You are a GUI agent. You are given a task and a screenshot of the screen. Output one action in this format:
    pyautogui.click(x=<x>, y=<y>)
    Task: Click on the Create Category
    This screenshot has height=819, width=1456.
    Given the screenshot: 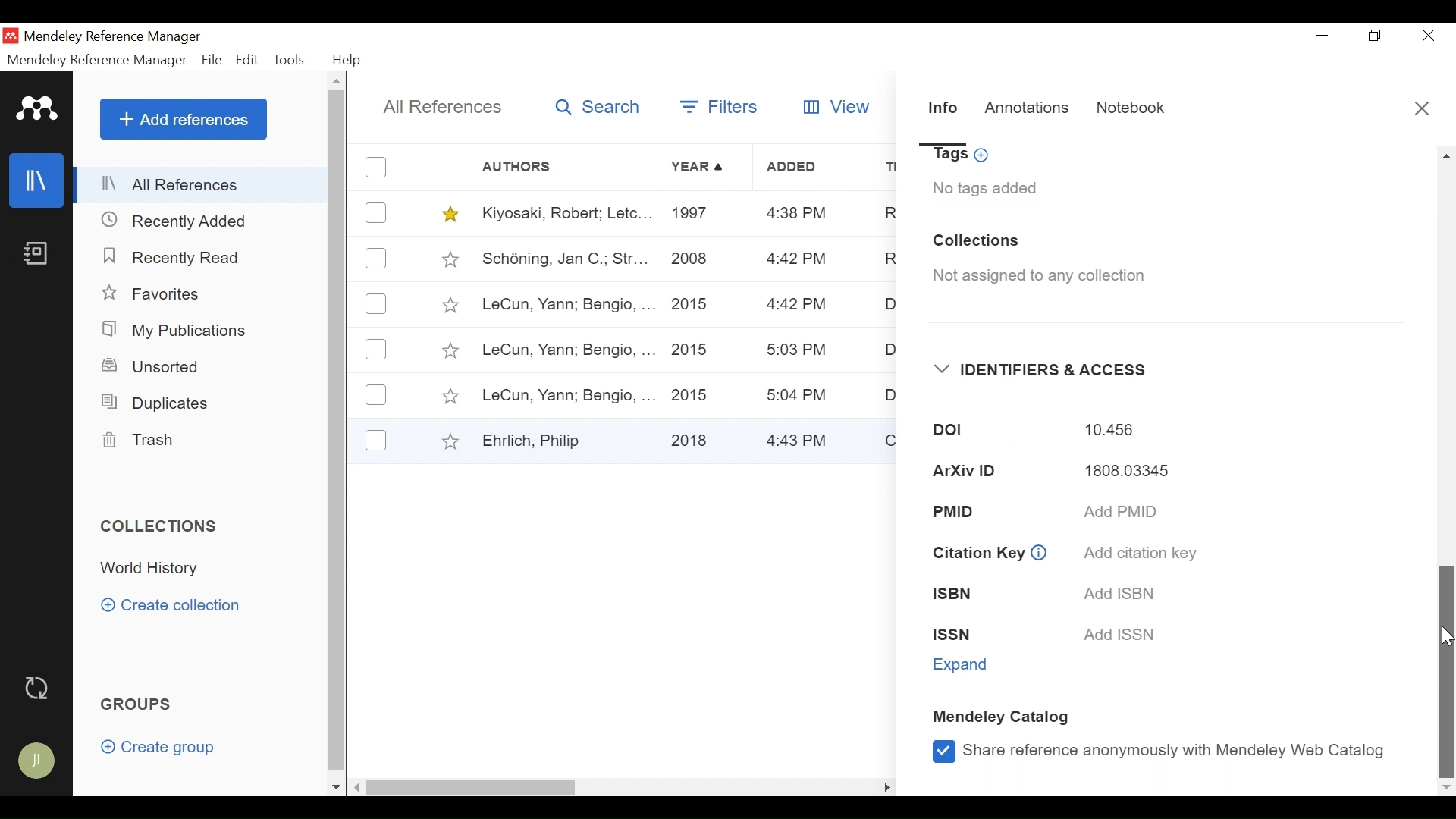 What is the action you would take?
    pyautogui.click(x=174, y=606)
    